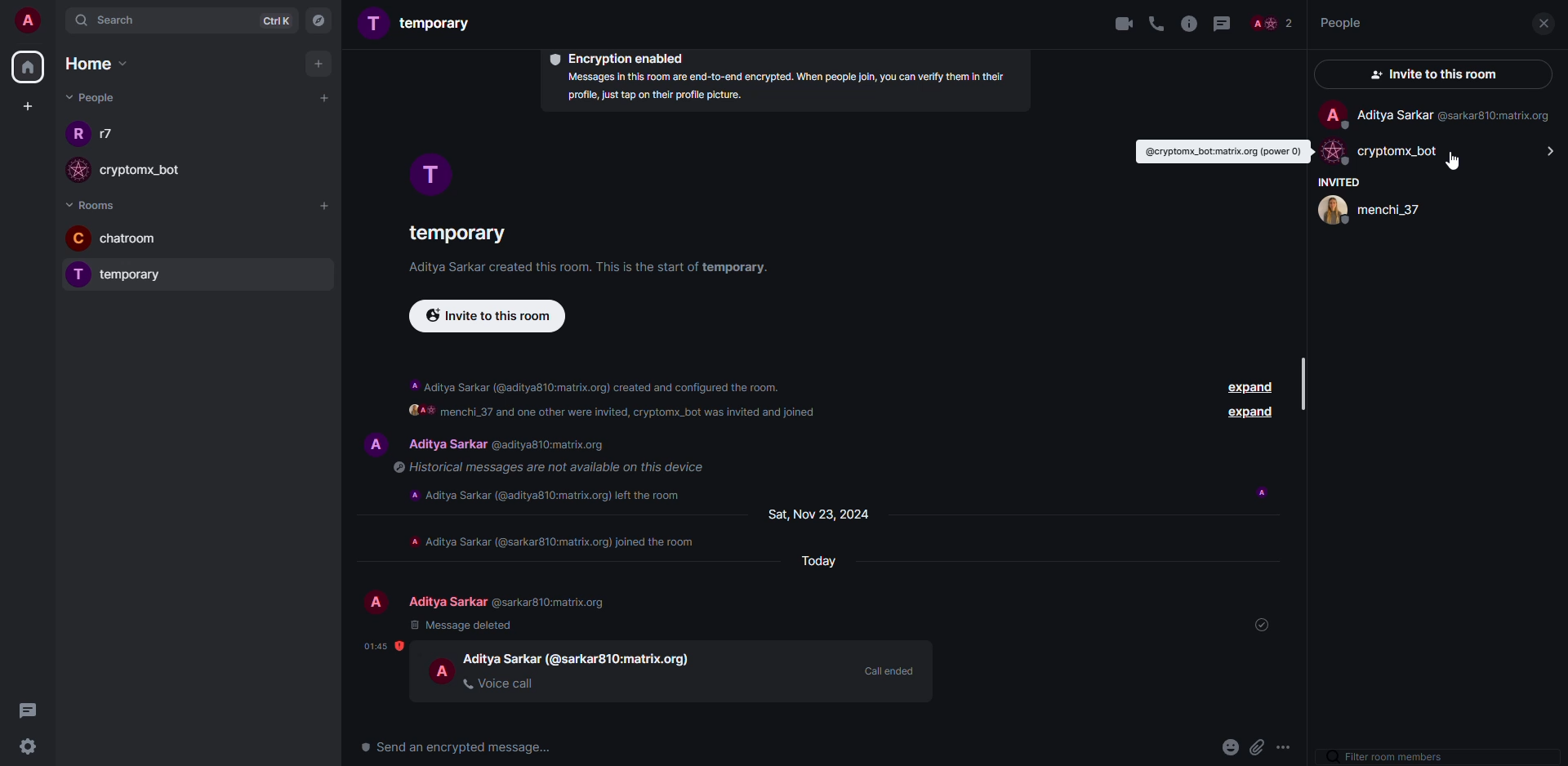 The width and height of the screenshot is (1568, 766). I want to click on info, so click(595, 268).